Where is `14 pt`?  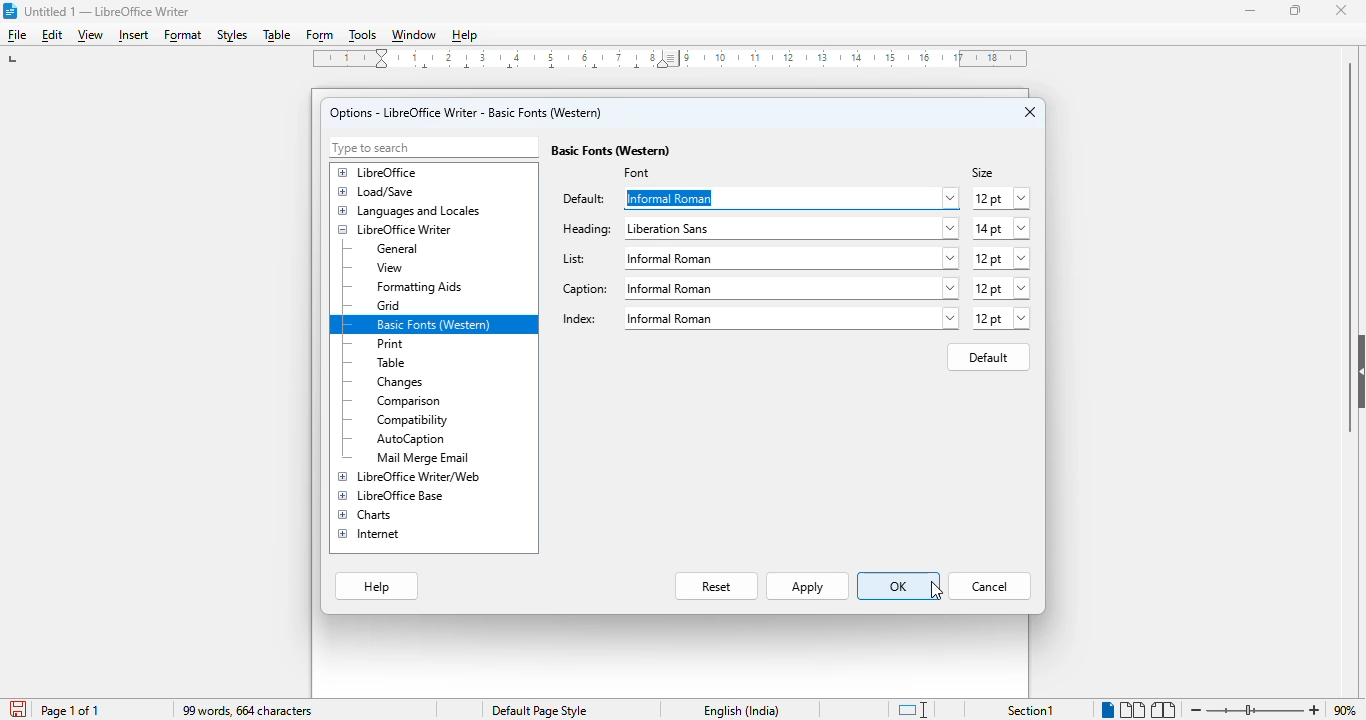
14 pt is located at coordinates (1001, 228).